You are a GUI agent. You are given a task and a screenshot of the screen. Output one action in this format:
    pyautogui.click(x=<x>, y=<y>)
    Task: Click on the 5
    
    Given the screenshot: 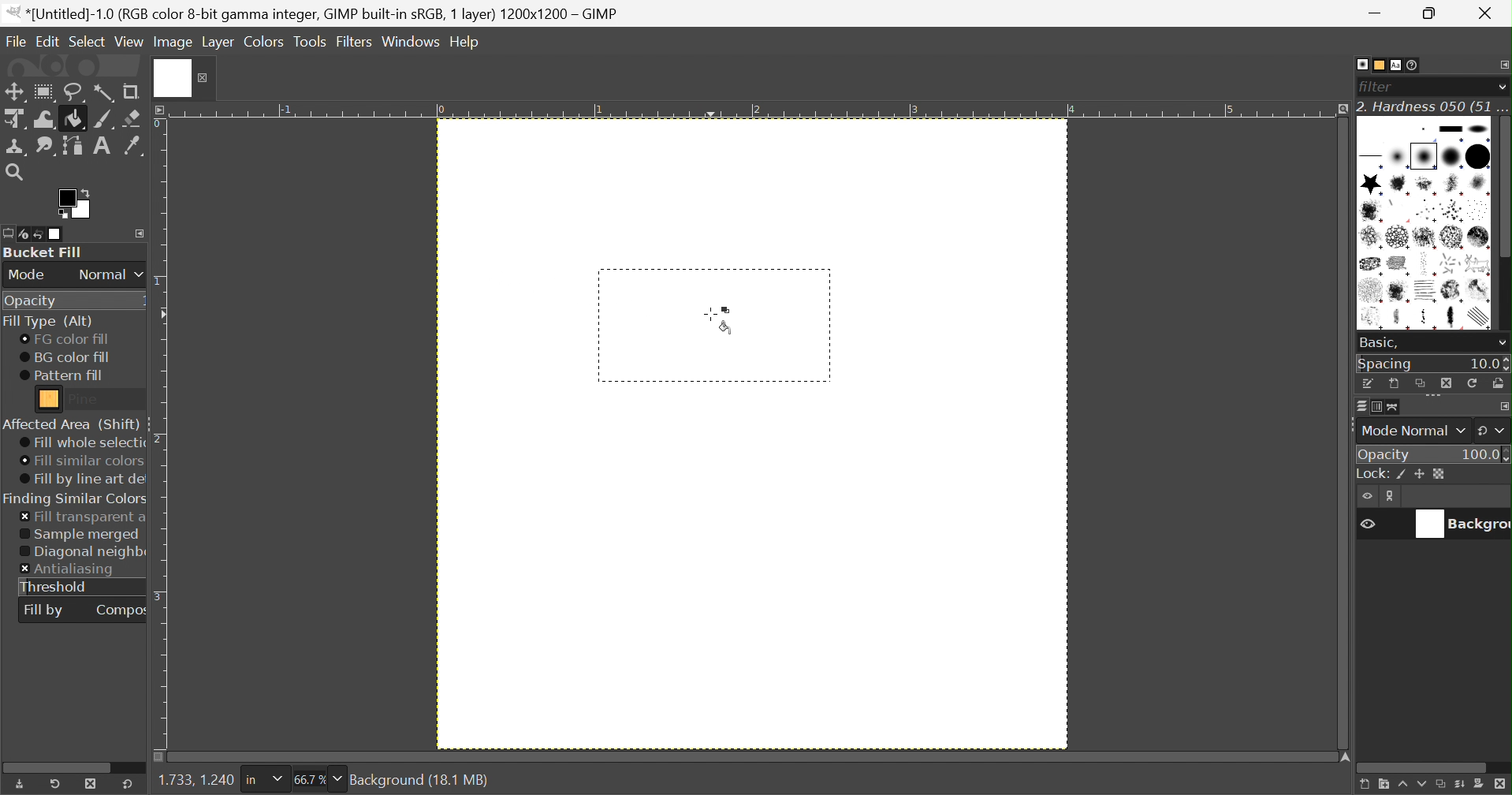 What is the action you would take?
    pyautogui.click(x=1230, y=110)
    